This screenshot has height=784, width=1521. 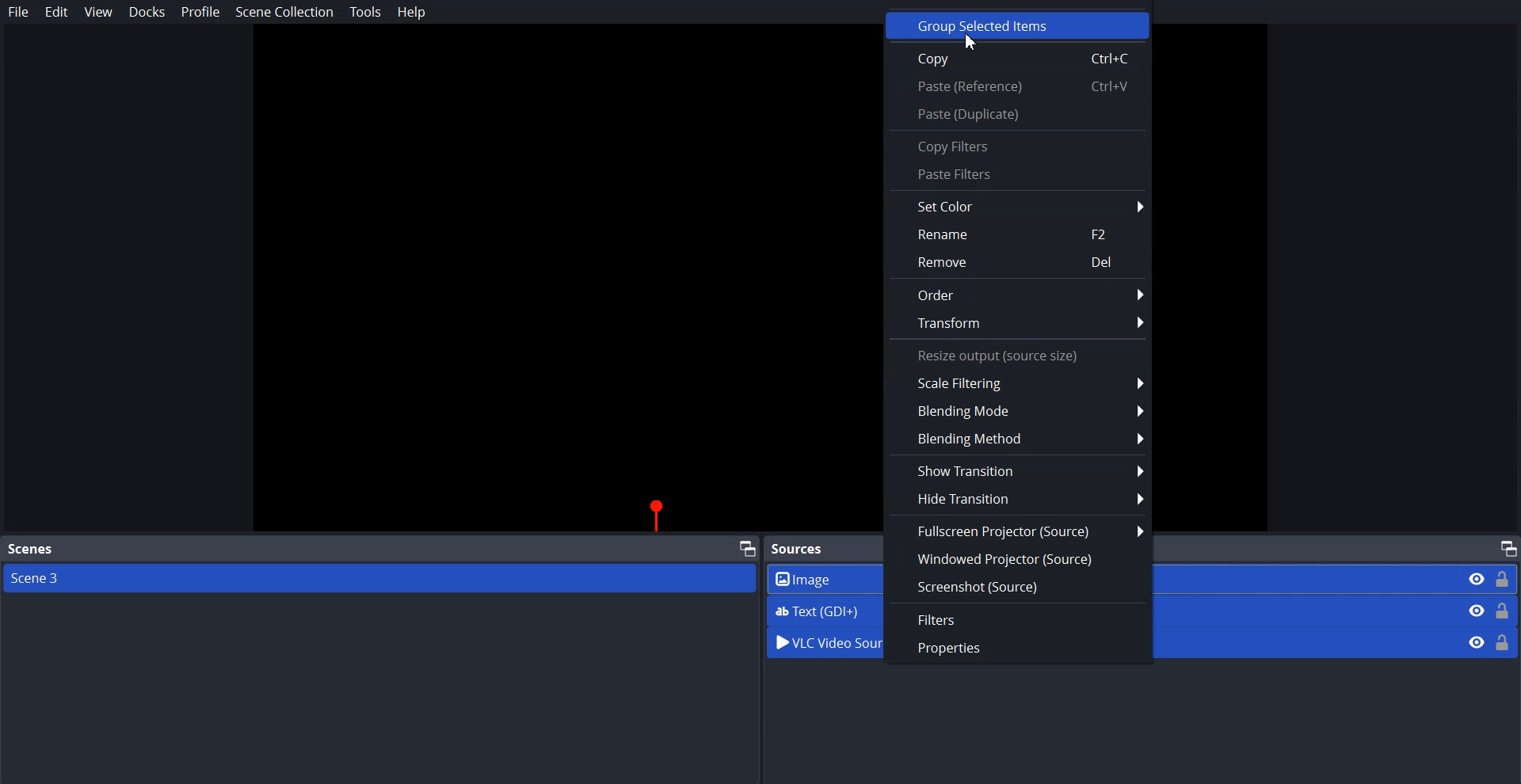 I want to click on Paste, so click(x=1017, y=115).